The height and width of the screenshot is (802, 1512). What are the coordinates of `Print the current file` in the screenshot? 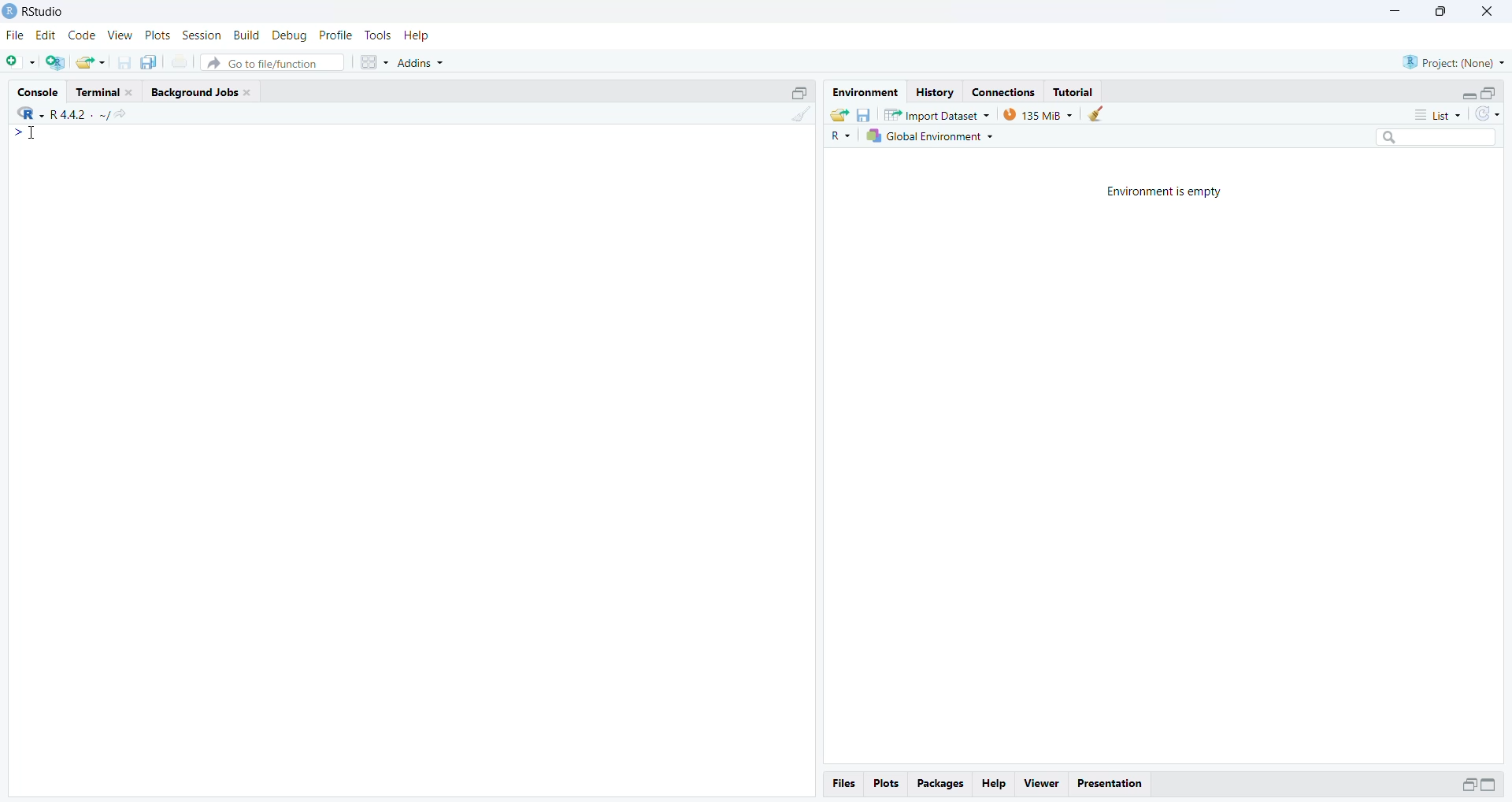 It's located at (180, 65).